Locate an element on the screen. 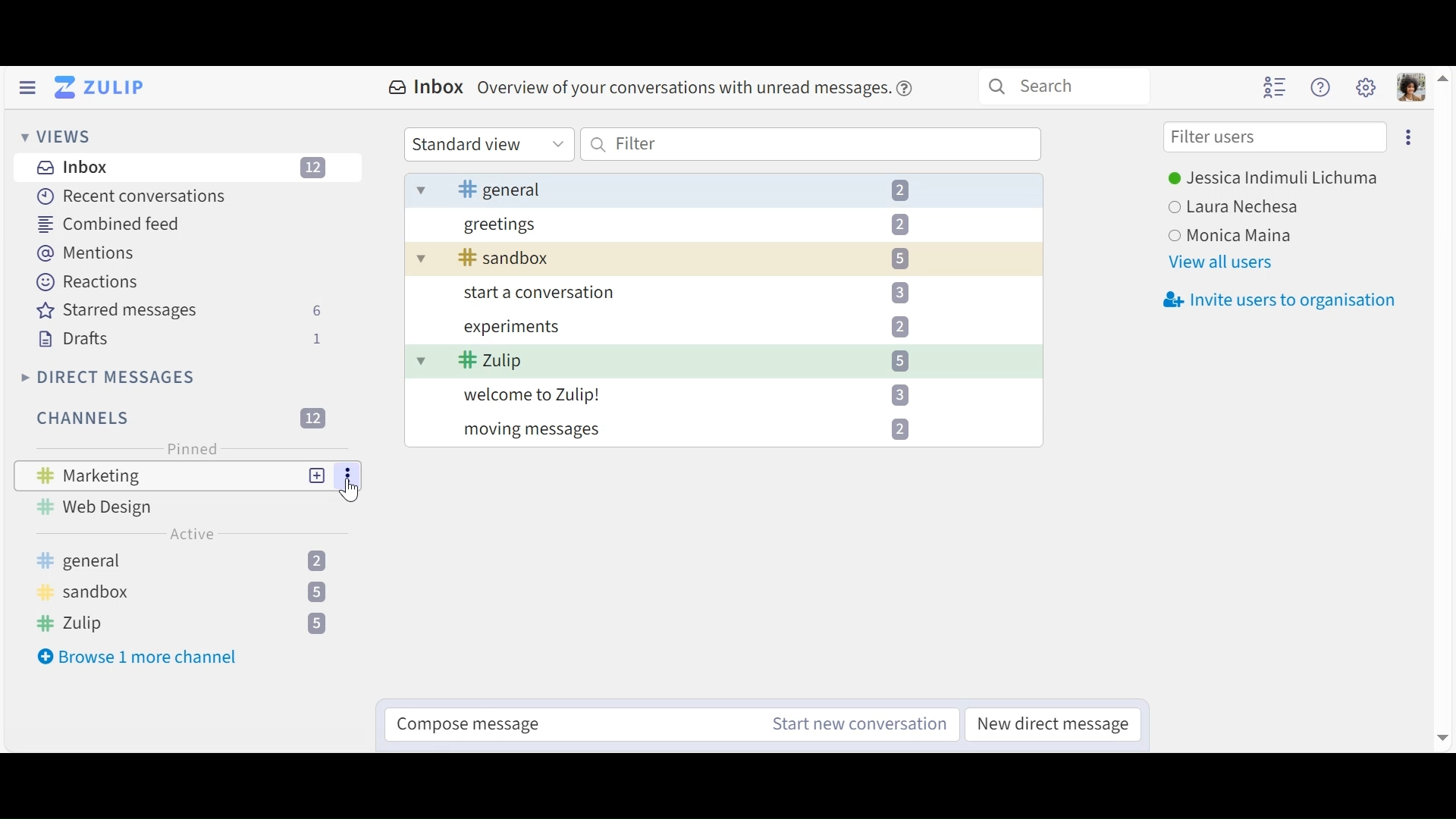 The width and height of the screenshot is (1456, 819). Main menu is located at coordinates (1367, 86).